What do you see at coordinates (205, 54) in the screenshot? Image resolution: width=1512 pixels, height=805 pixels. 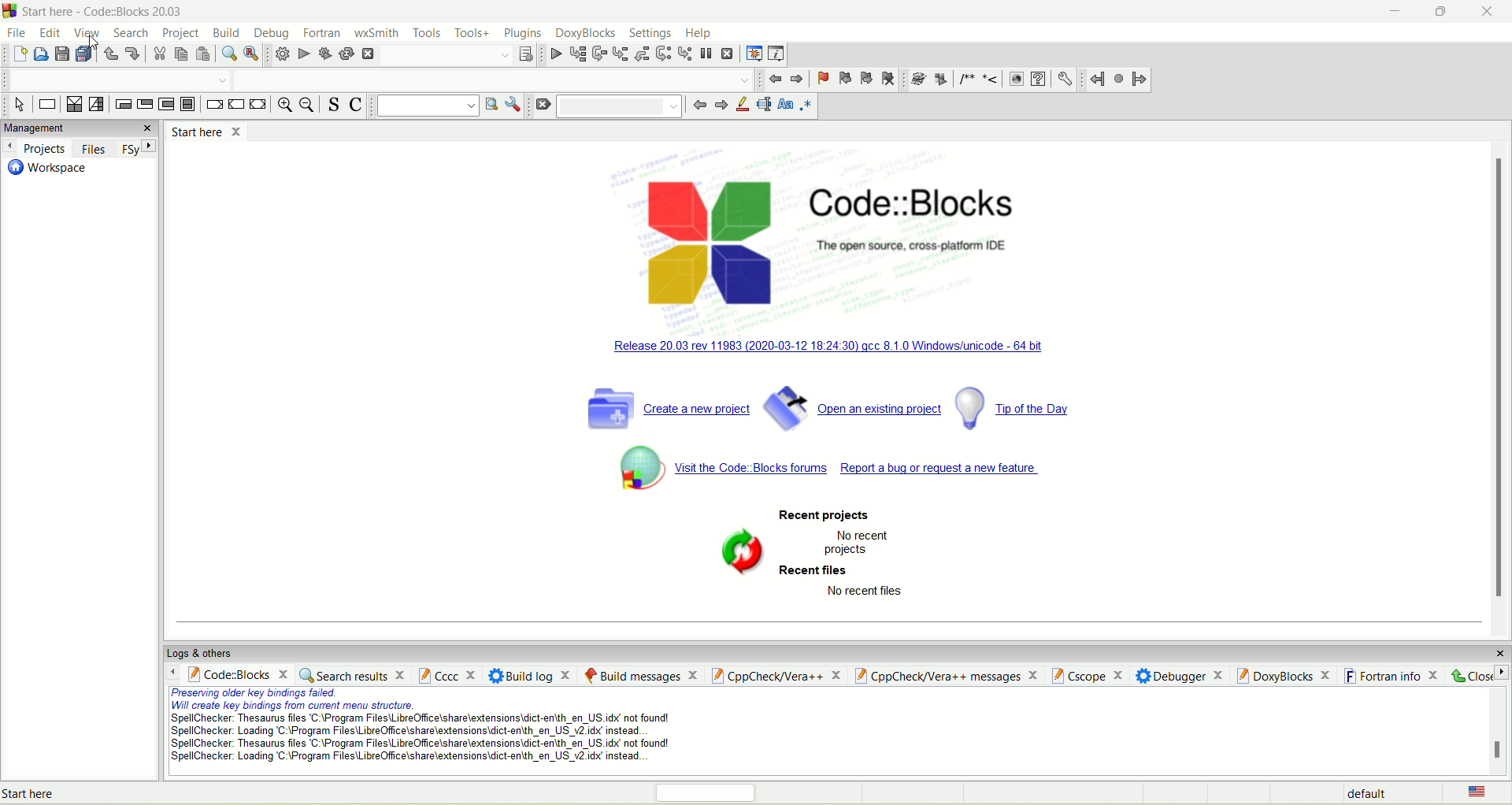 I see `paste` at bounding box center [205, 54].